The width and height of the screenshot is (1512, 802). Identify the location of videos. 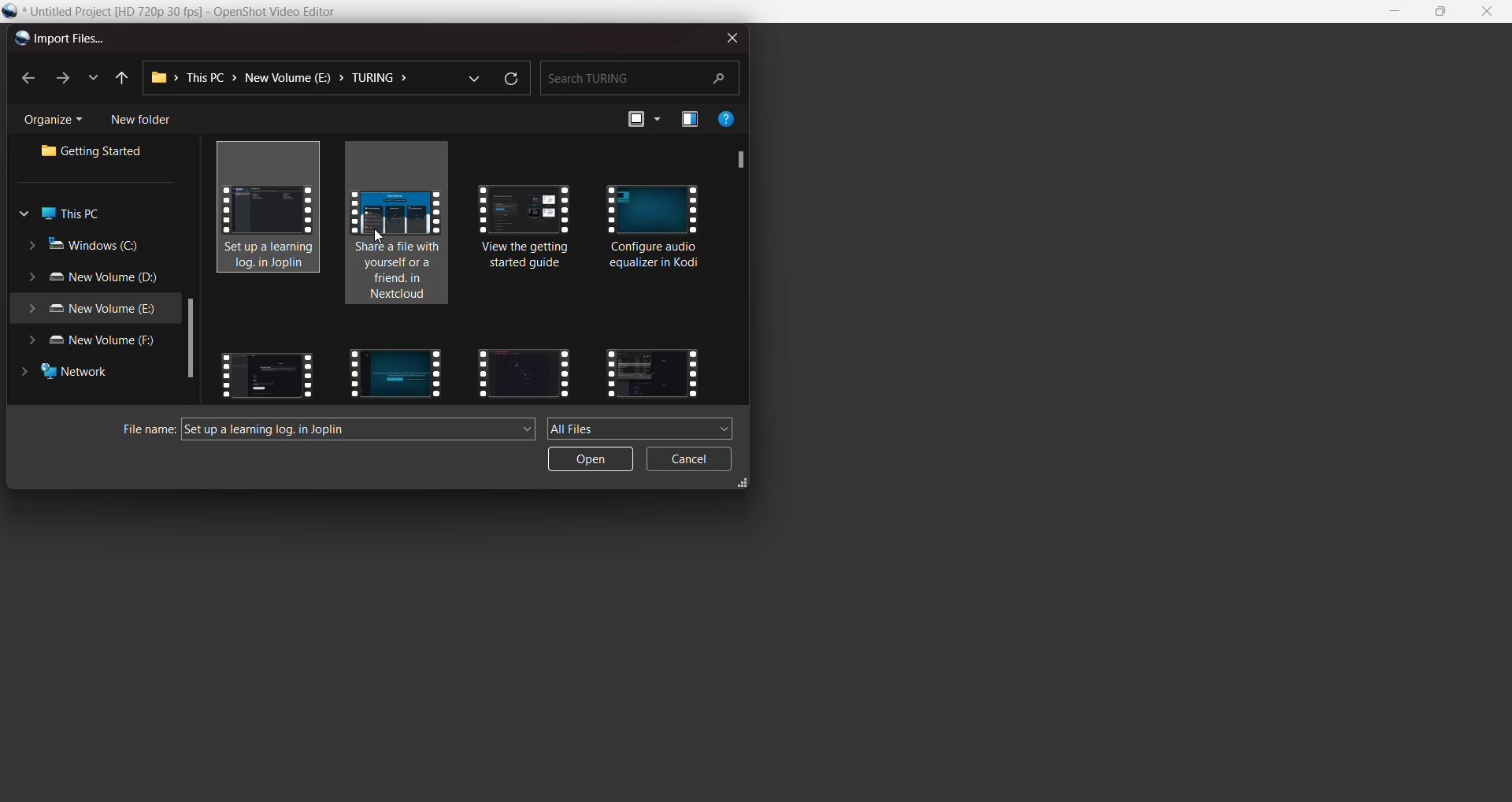
(529, 239).